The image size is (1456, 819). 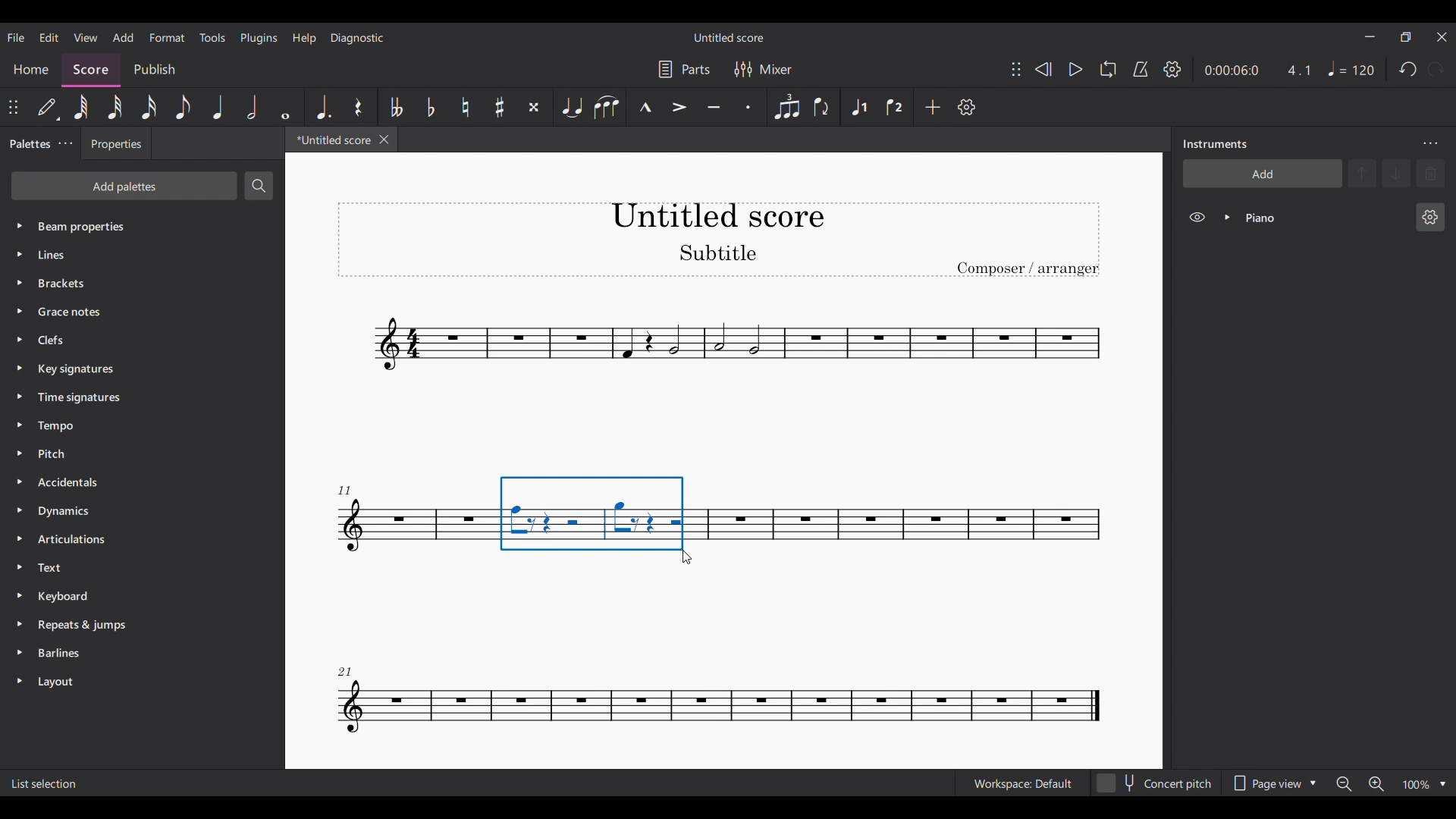 What do you see at coordinates (1075, 69) in the screenshot?
I see `Play` at bounding box center [1075, 69].